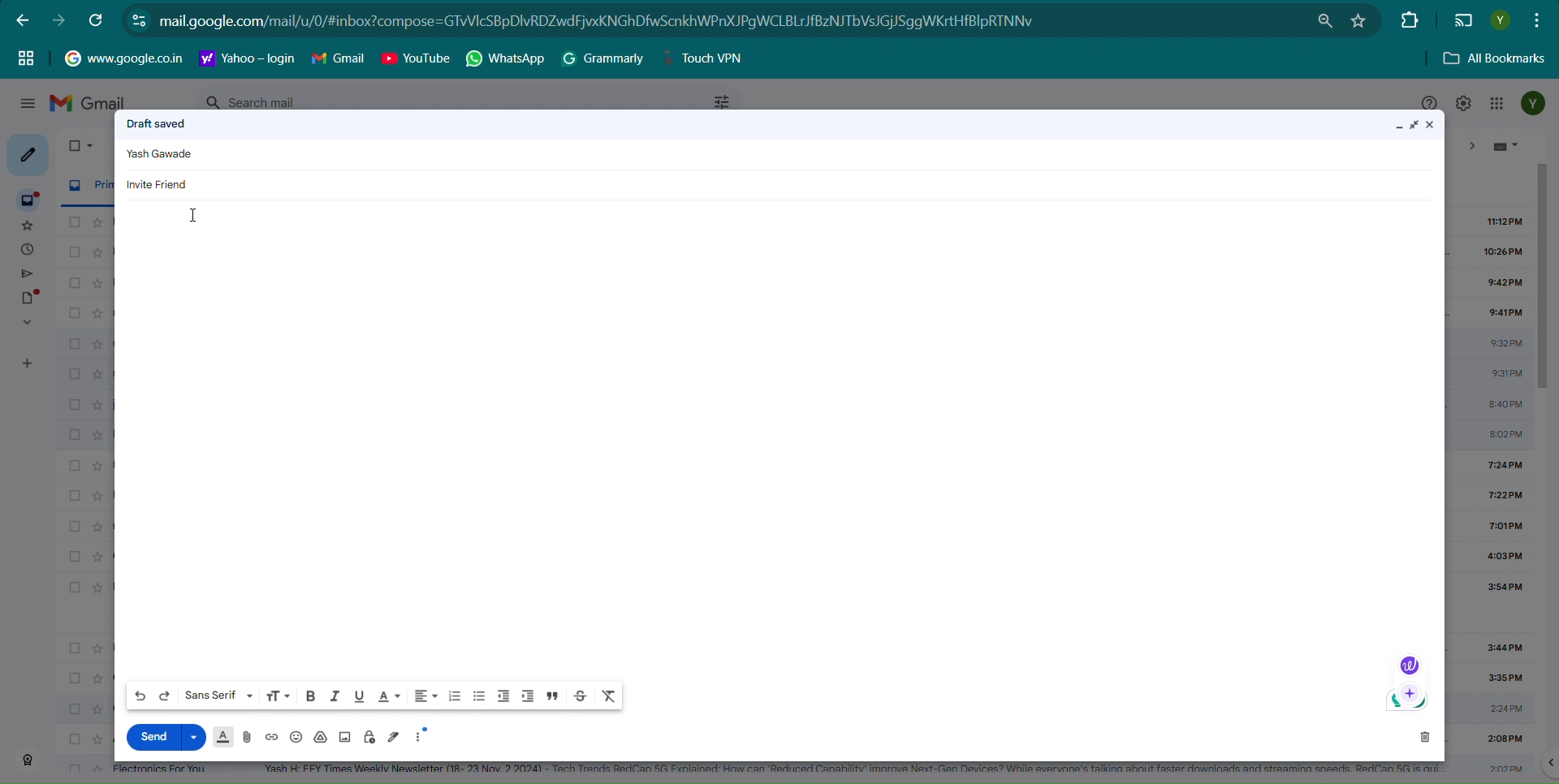  I want to click on Insert picture, so click(344, 737).